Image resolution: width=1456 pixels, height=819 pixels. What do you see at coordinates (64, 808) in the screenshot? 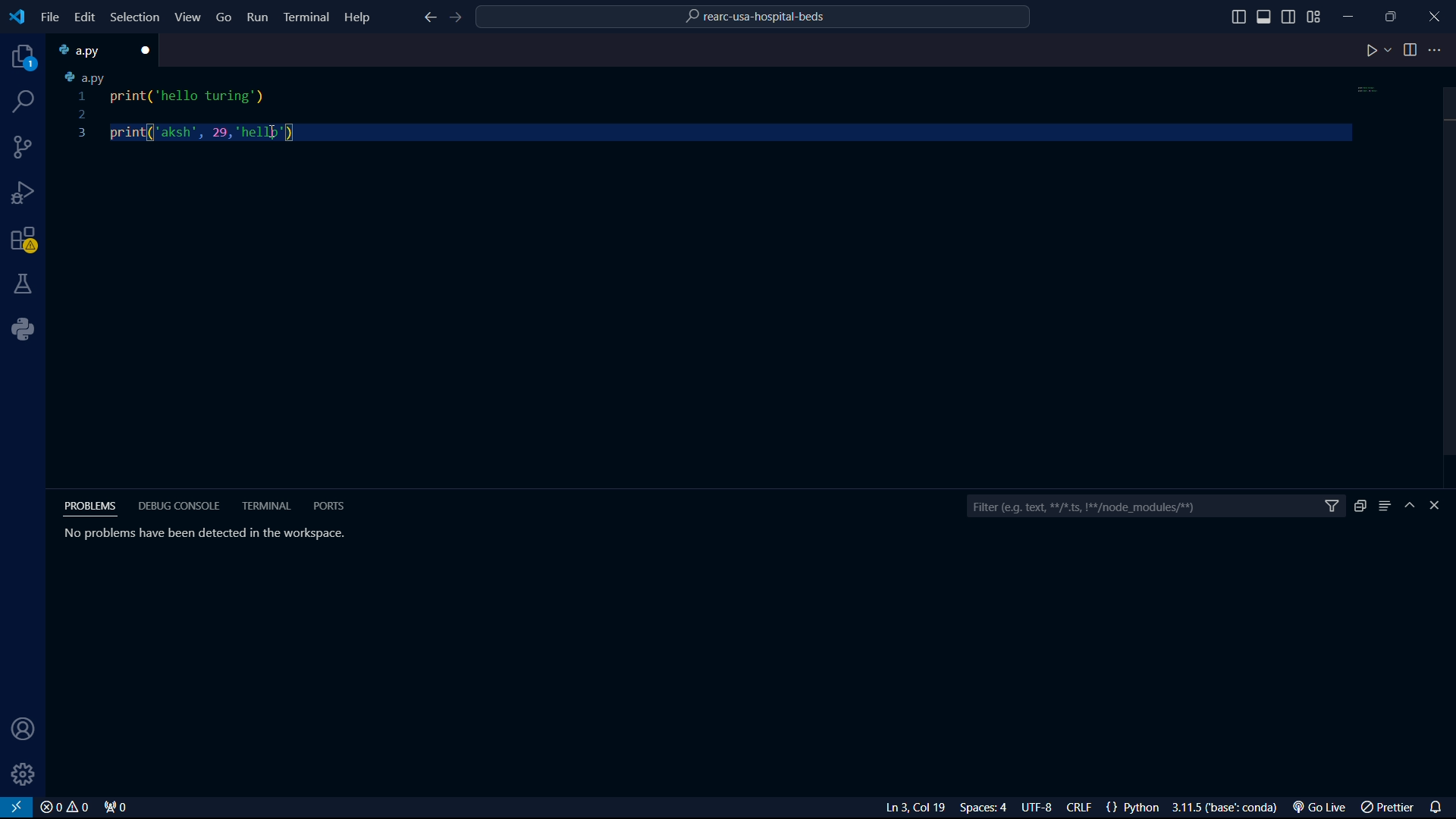
I see `close` at bounding box center [64, 808].